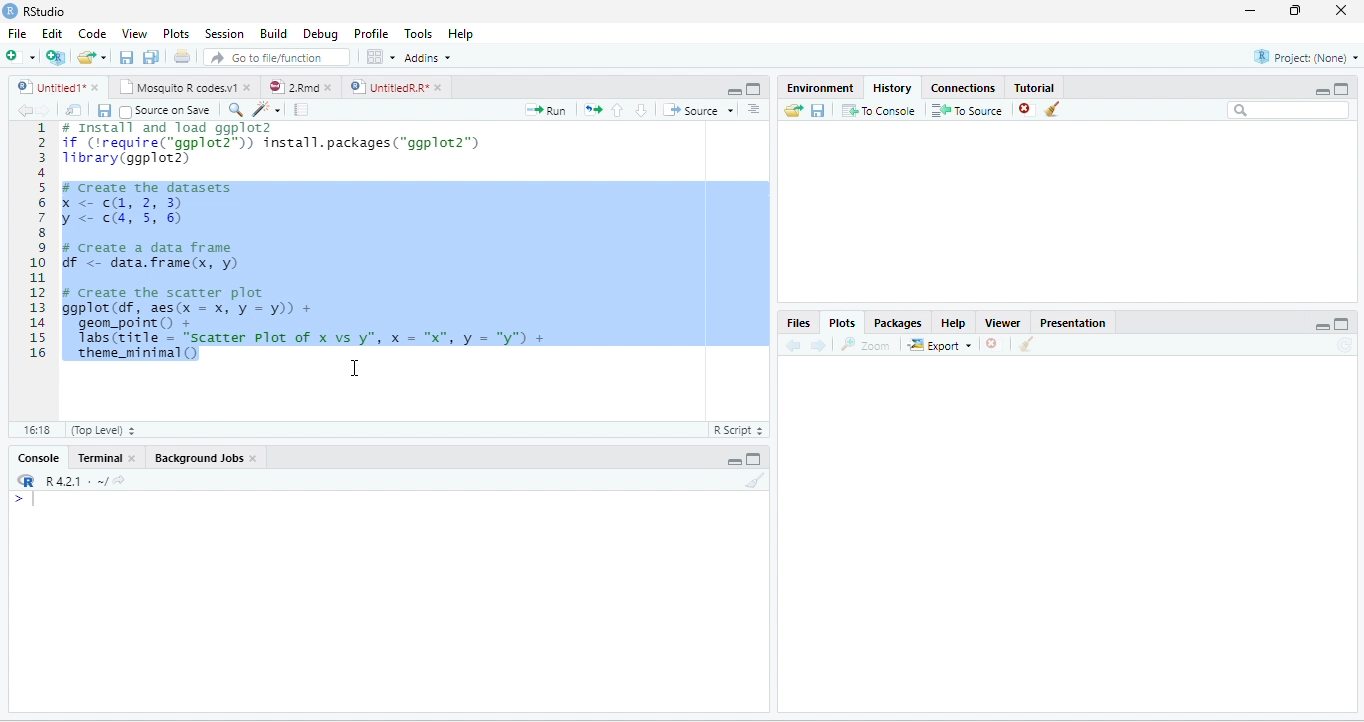 This screenshot has height=722, width=1364. Describe the element at coordinates (891, 88) in the screenshot. I see `History` at that location.